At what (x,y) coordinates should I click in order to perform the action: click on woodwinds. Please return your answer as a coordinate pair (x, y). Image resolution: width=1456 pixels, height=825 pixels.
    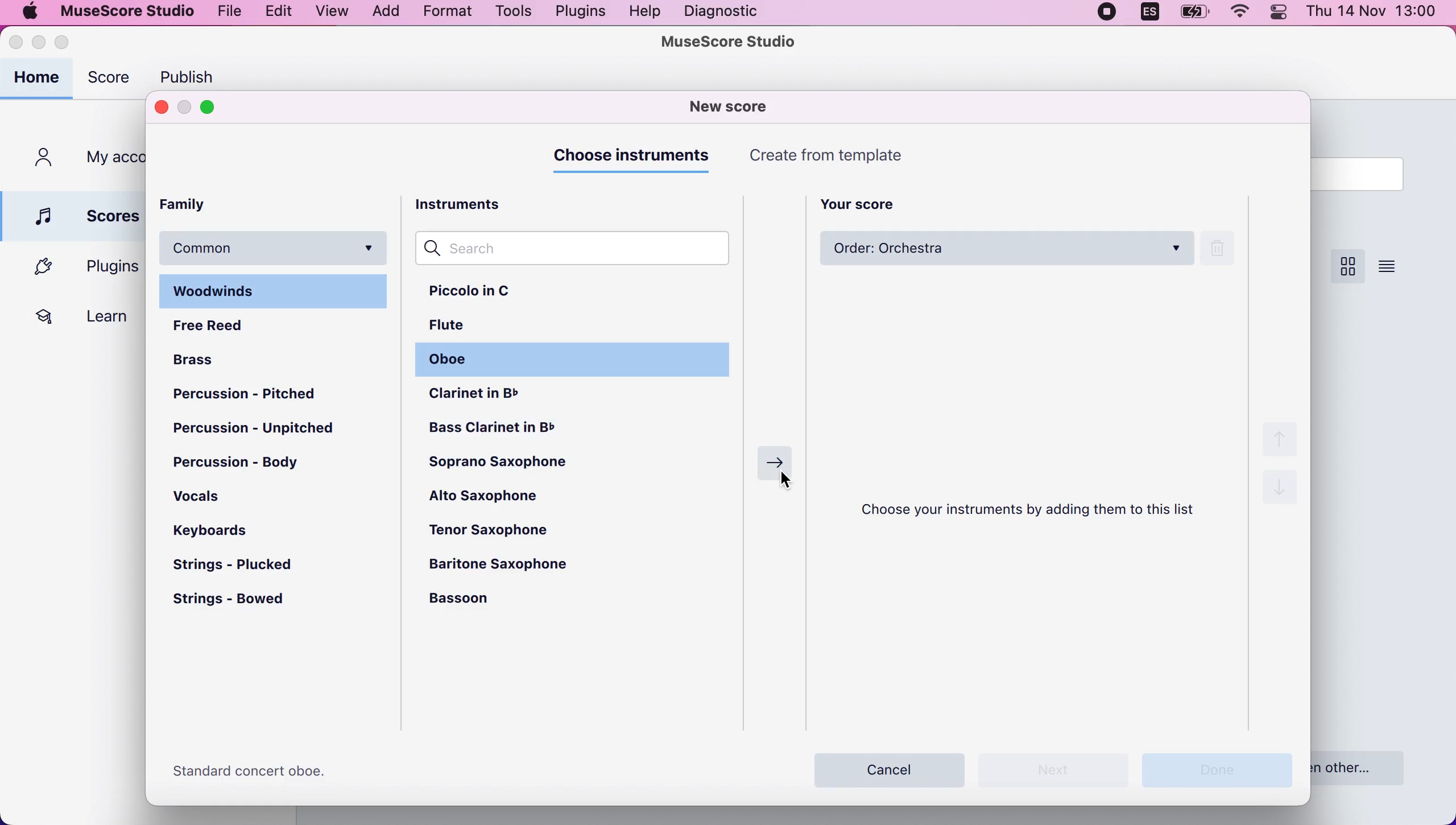
    Looking at the image, I should click on (276, 290).